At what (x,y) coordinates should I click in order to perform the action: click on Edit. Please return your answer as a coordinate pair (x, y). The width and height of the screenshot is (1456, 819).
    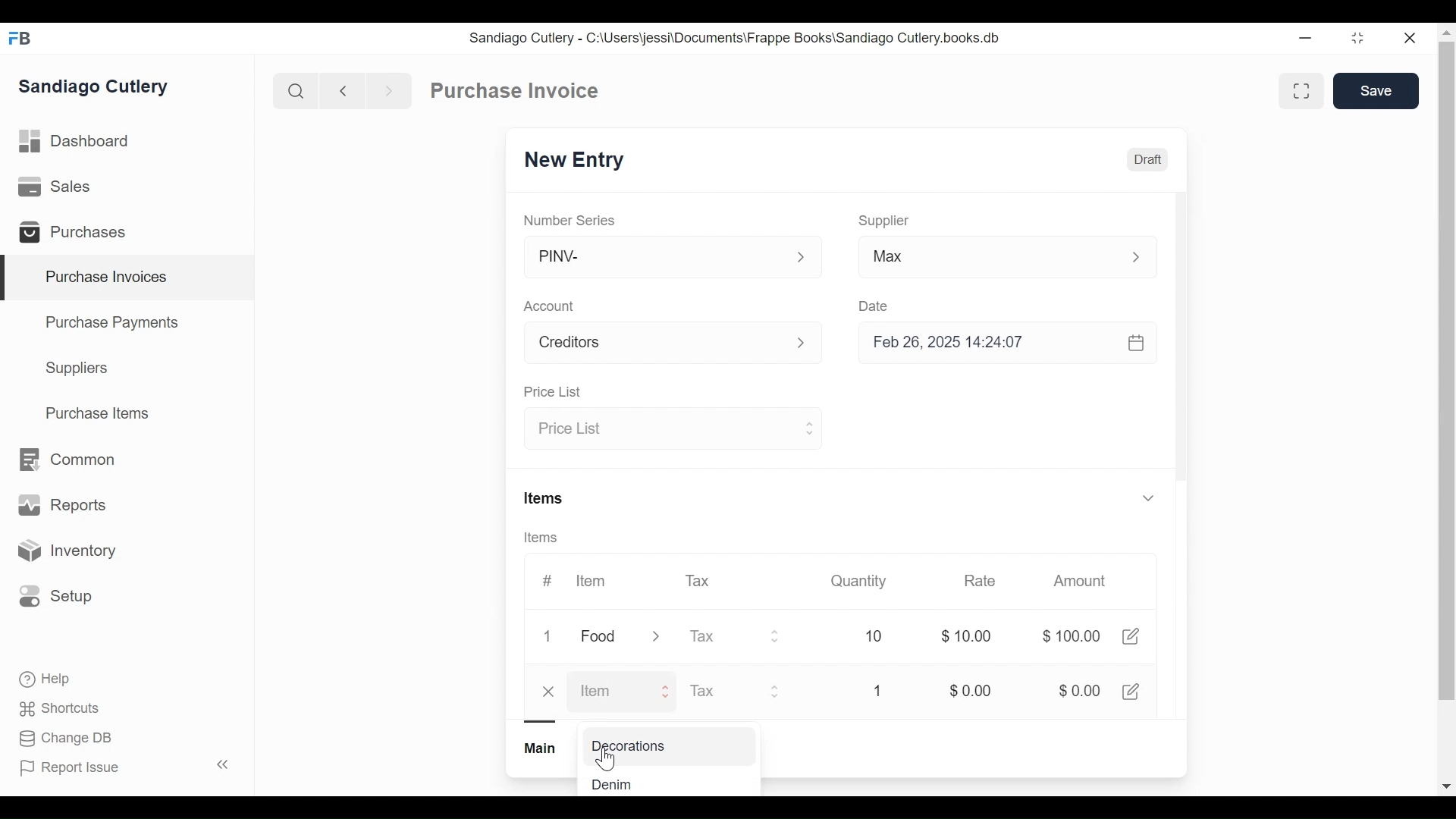
    Looking at the image, I should click on (1131, 635).